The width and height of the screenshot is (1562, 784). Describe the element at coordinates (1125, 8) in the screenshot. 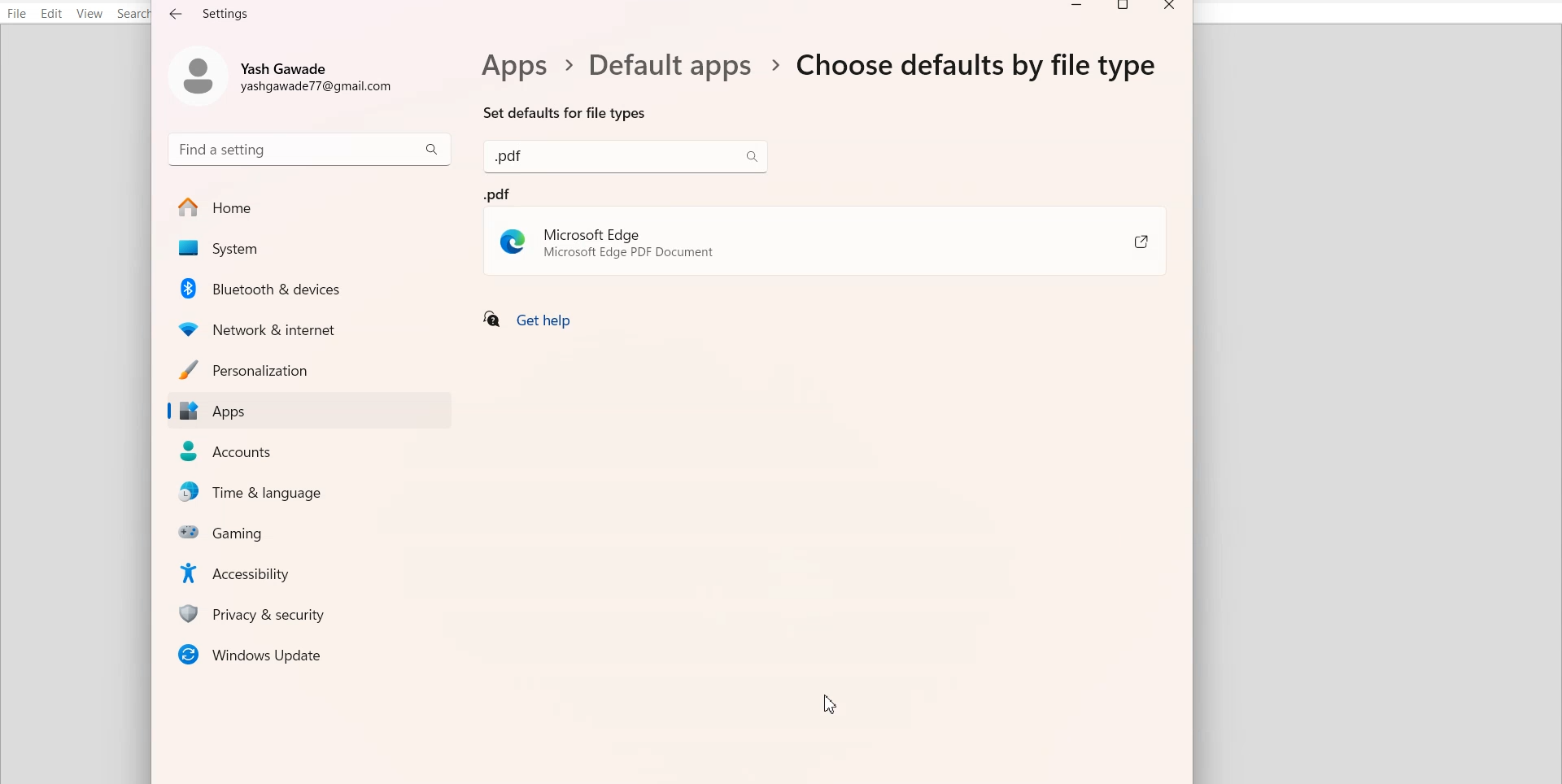

I see `Maximize` at that location.